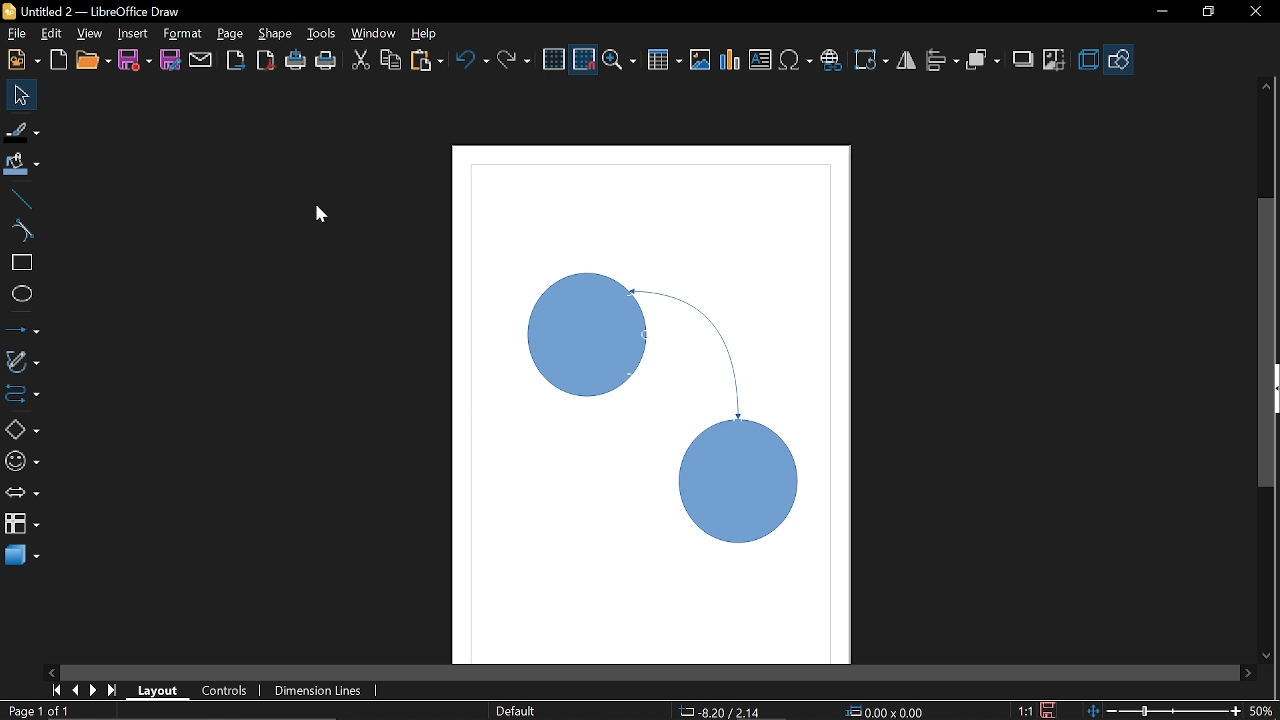 The image size is (1280, 720). Describe the element at coordinates (1268, 346) in the screenshot. I see `Vertcal scrollbar` at that location.